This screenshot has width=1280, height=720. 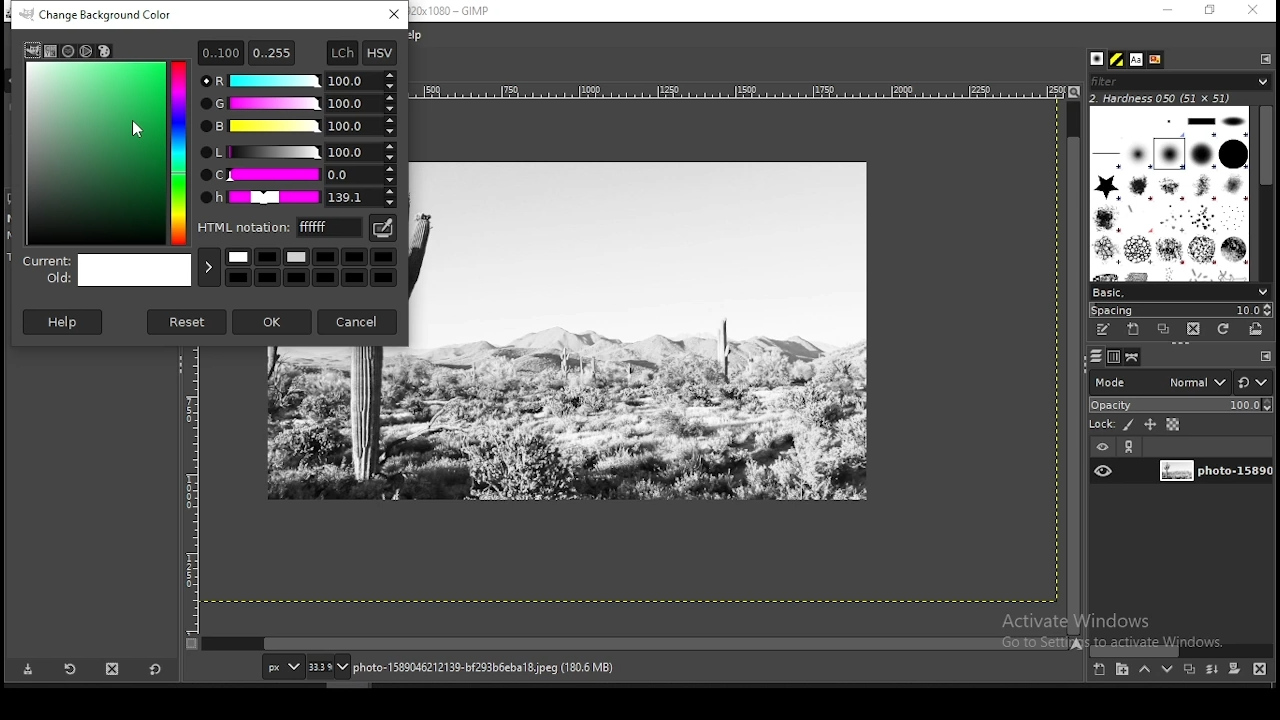 I want to click on reload tool preset, so click(x=72, y=668).